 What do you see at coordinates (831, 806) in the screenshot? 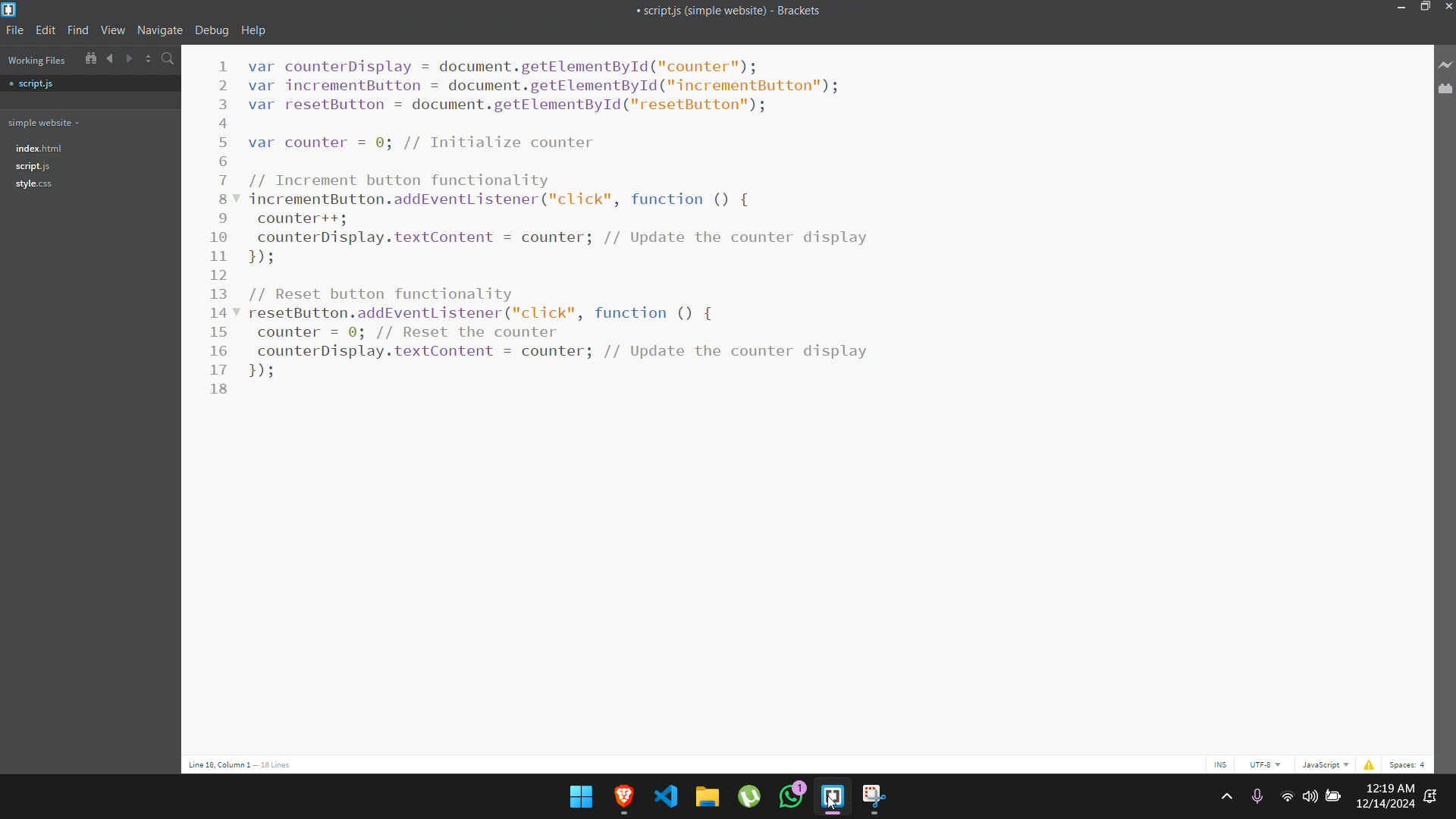
I see `cursor` at bounding box center [831, 806].